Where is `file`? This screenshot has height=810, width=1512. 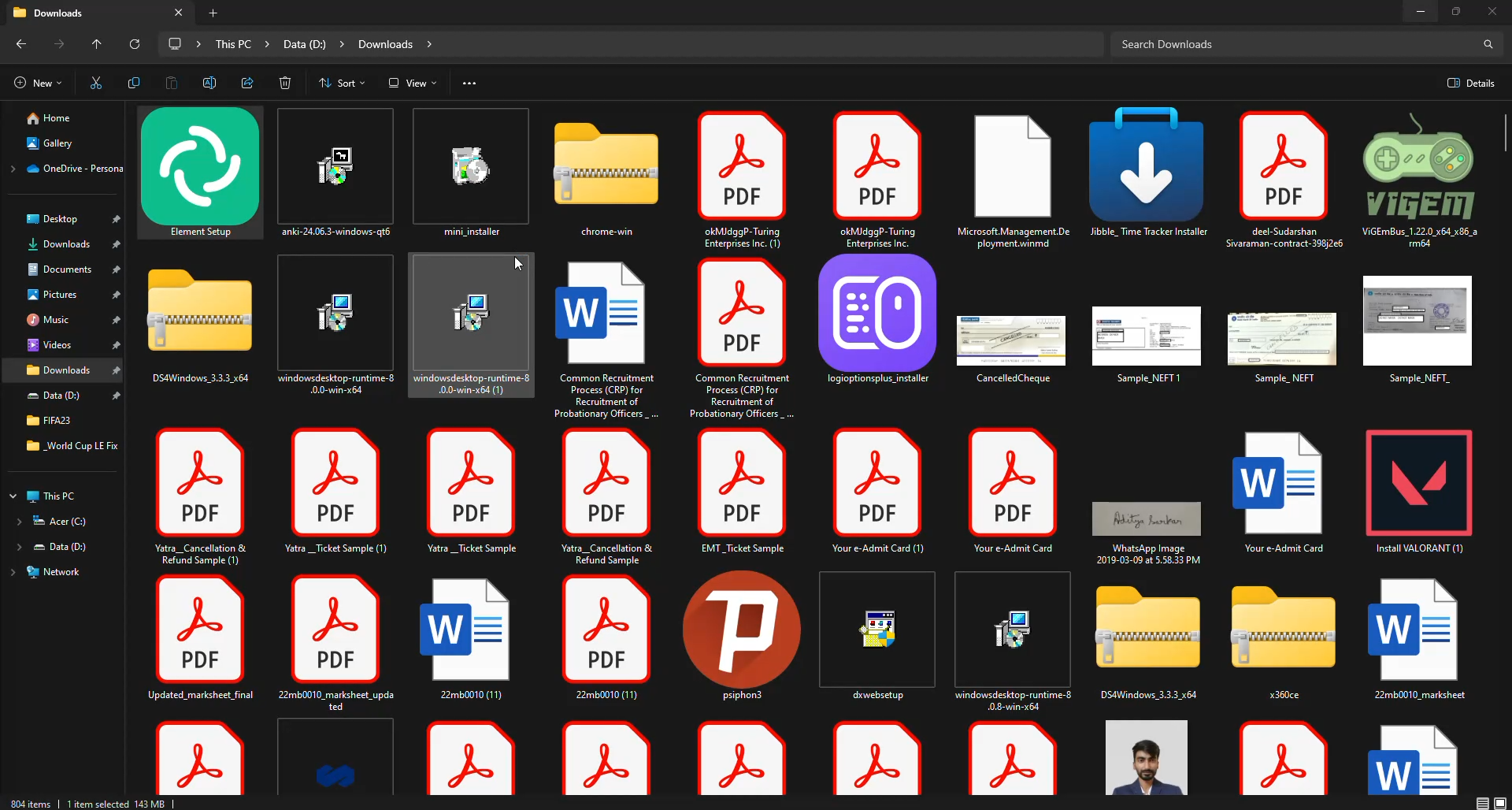 file is located at coordinates (1427, 178).